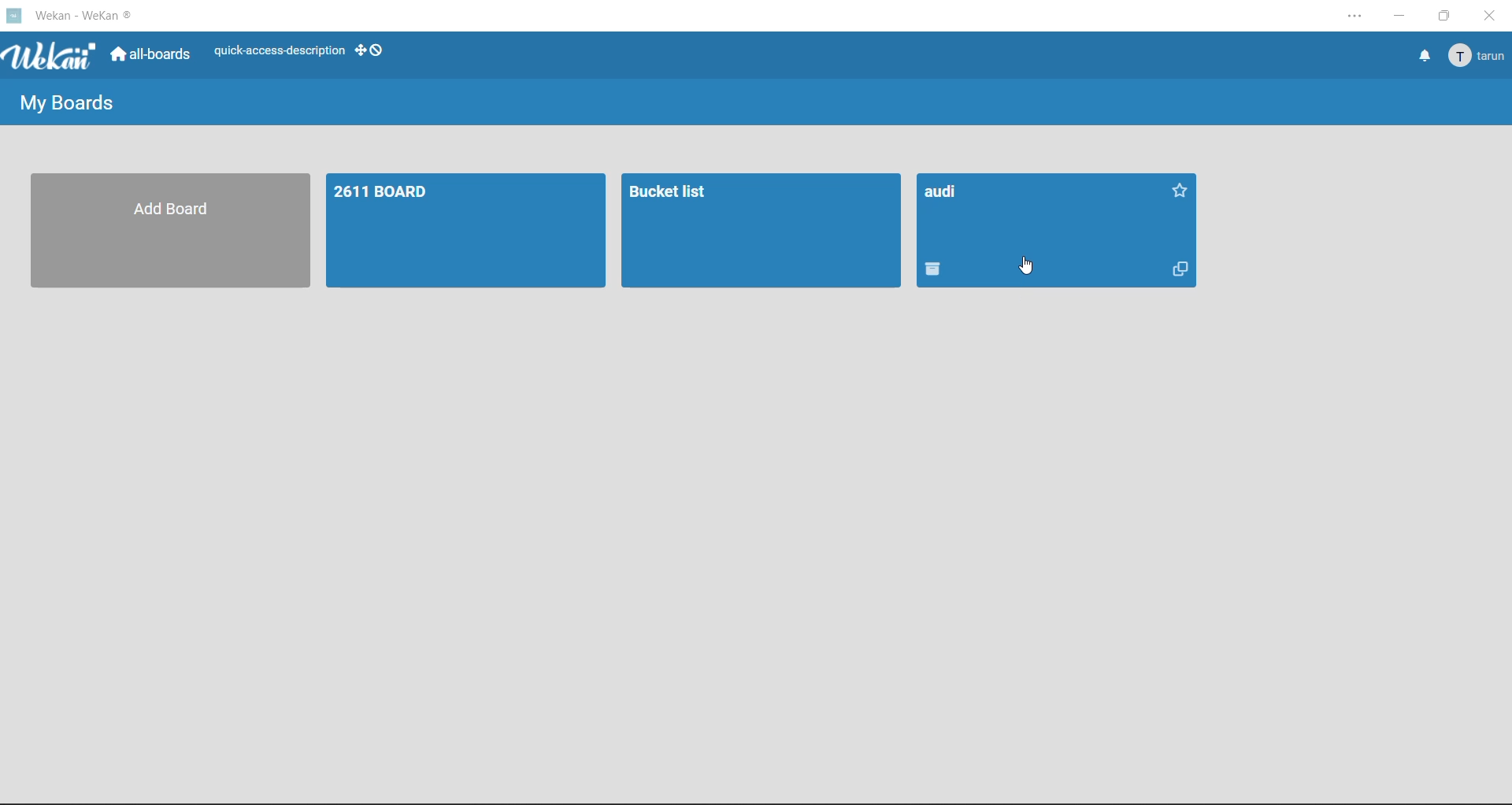 The width and height of the screenshot is (1512, 805). Describe the element at coordinates (1028, 268) in the screenshot. I see `cursor` at that location.